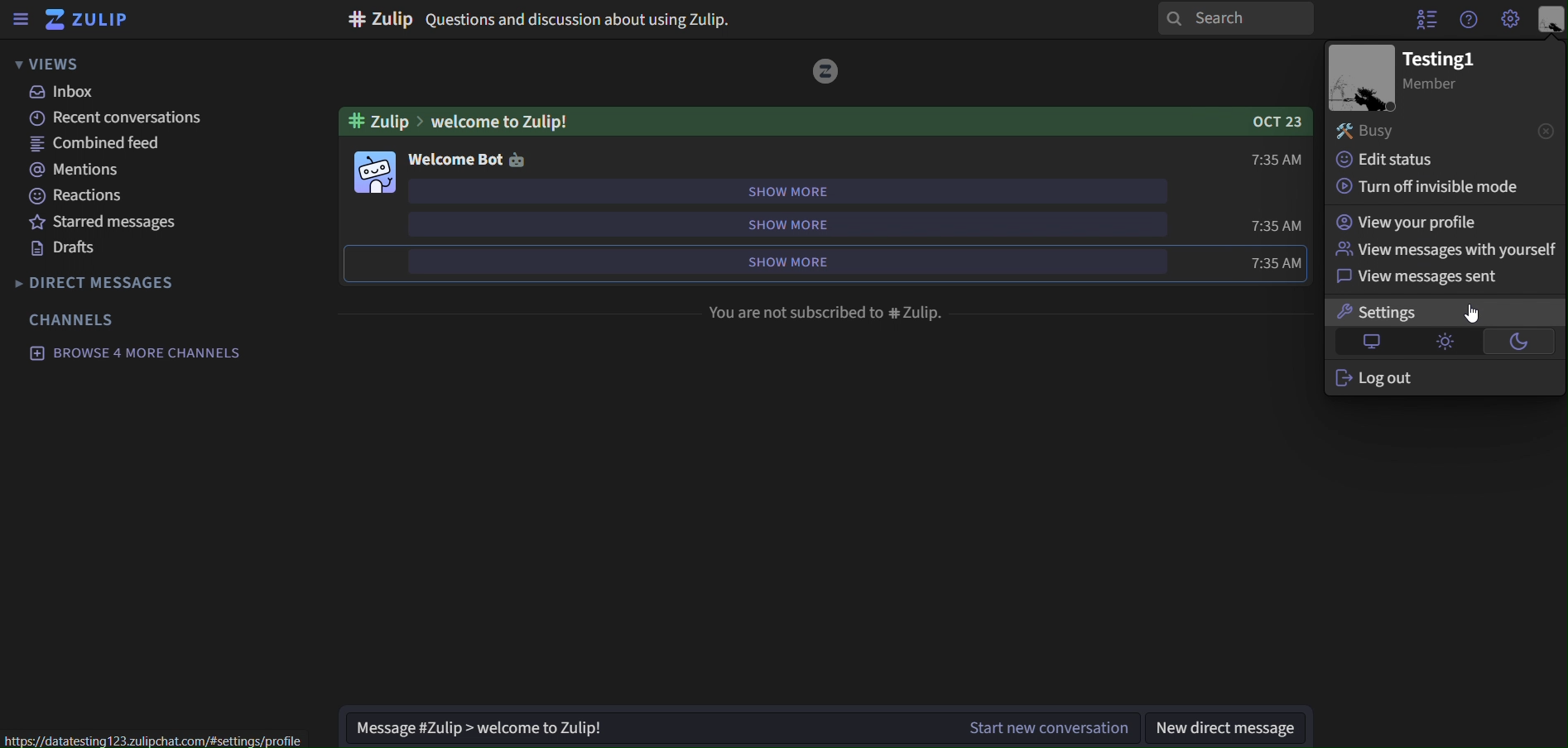  What do you see at coordinates (1547, 129) in the screenshot?
I see `remove` at bounding box center [1547, 129].